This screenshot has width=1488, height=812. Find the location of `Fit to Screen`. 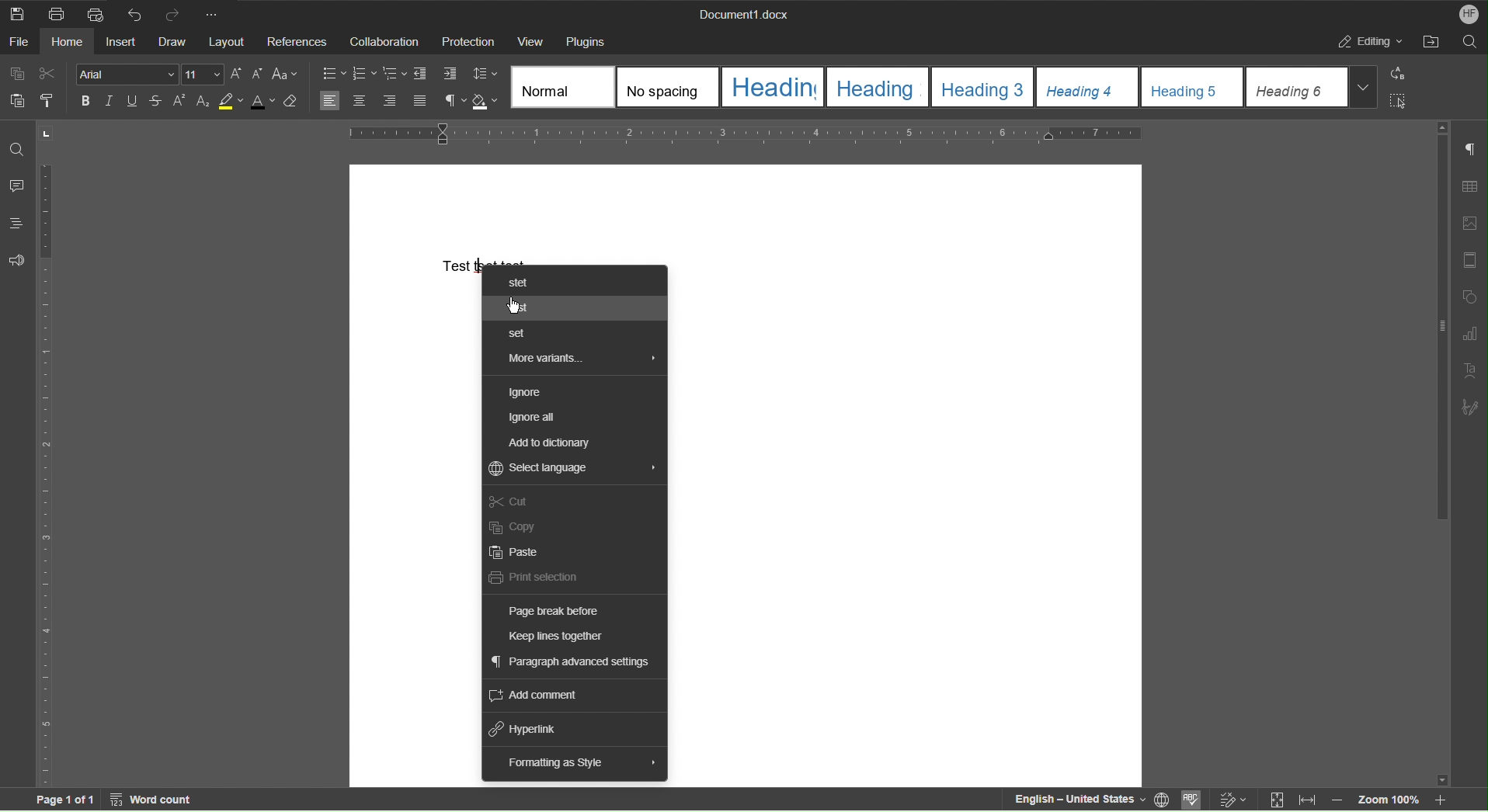

Fit to Screen is located at coordinates (1275, 800).